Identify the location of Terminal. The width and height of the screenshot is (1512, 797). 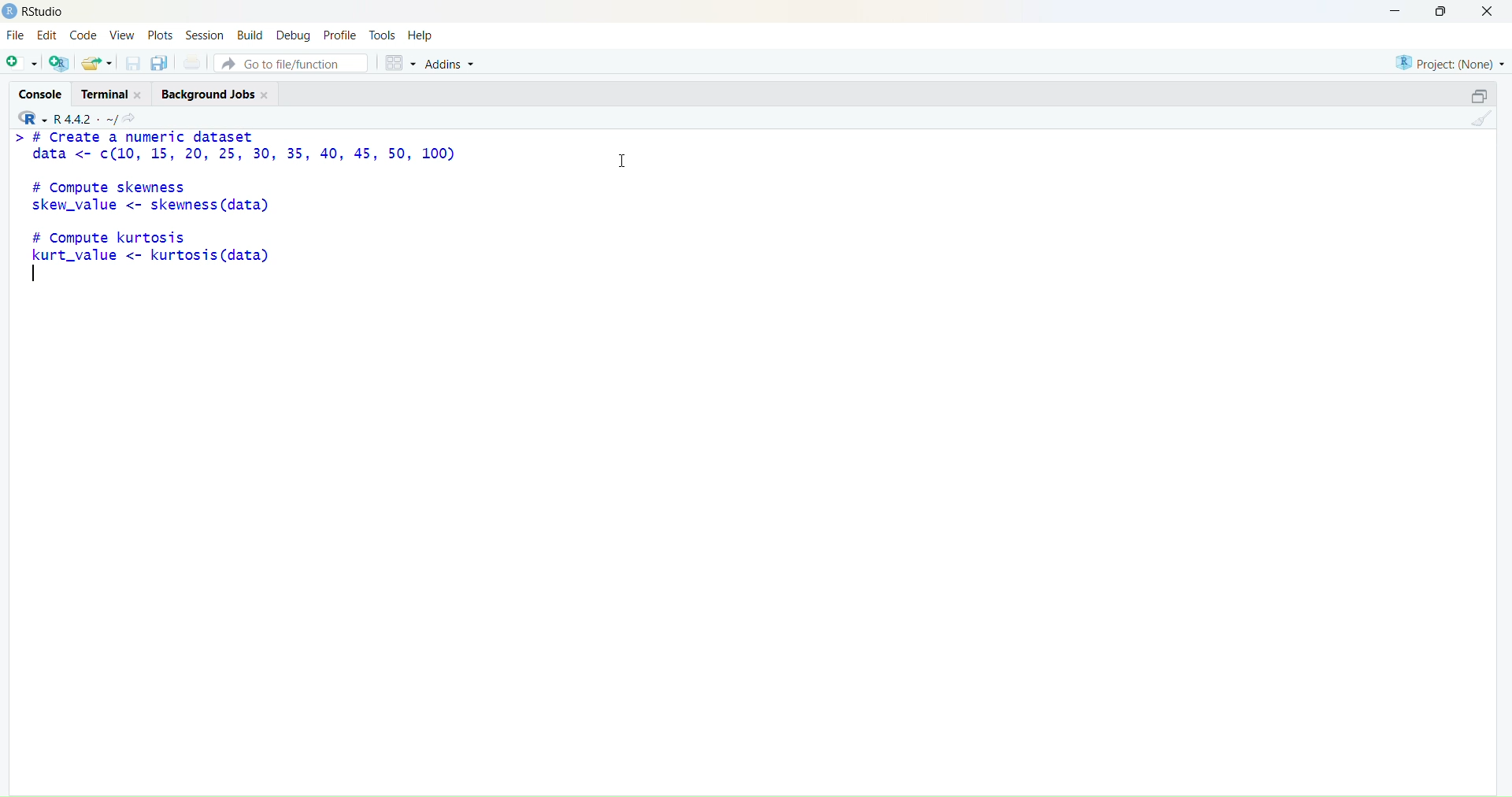
(116, 93).